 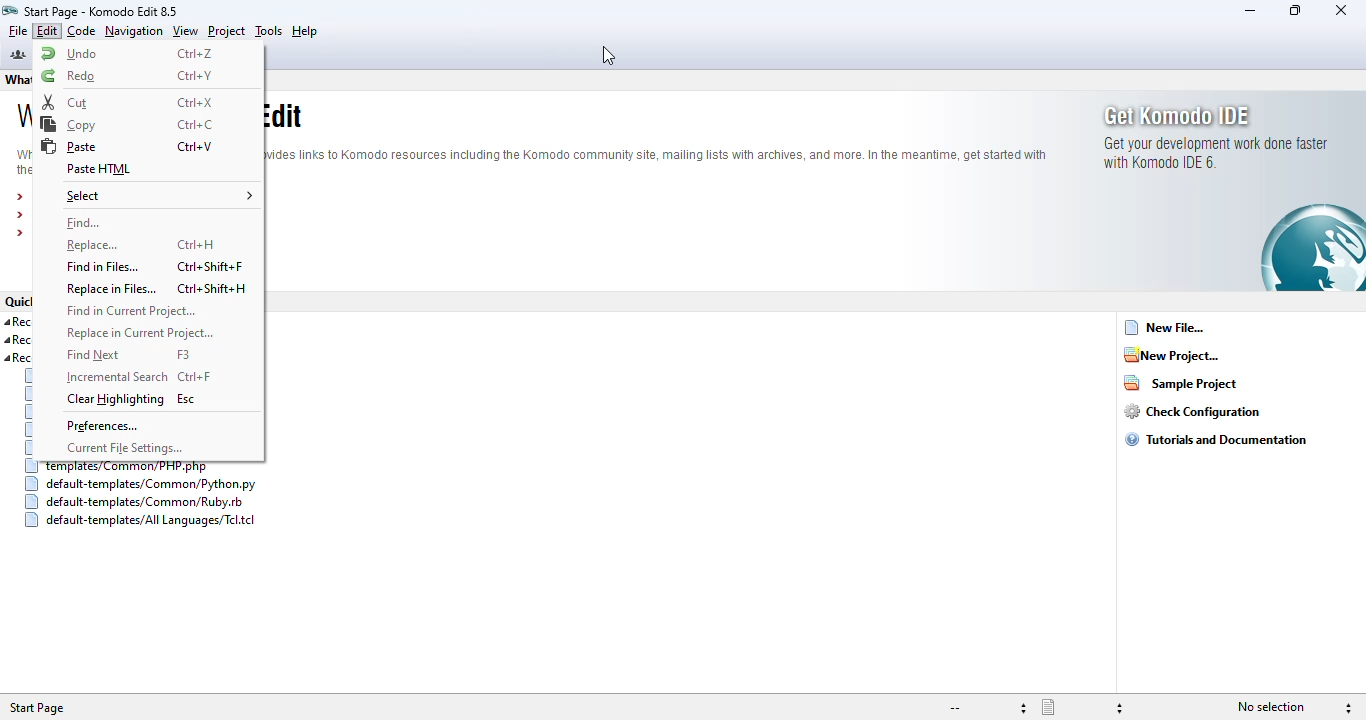 What do you see at coordinates (268, 30) in the screenshot?
I see `tools` at bounding box center [268, 30].